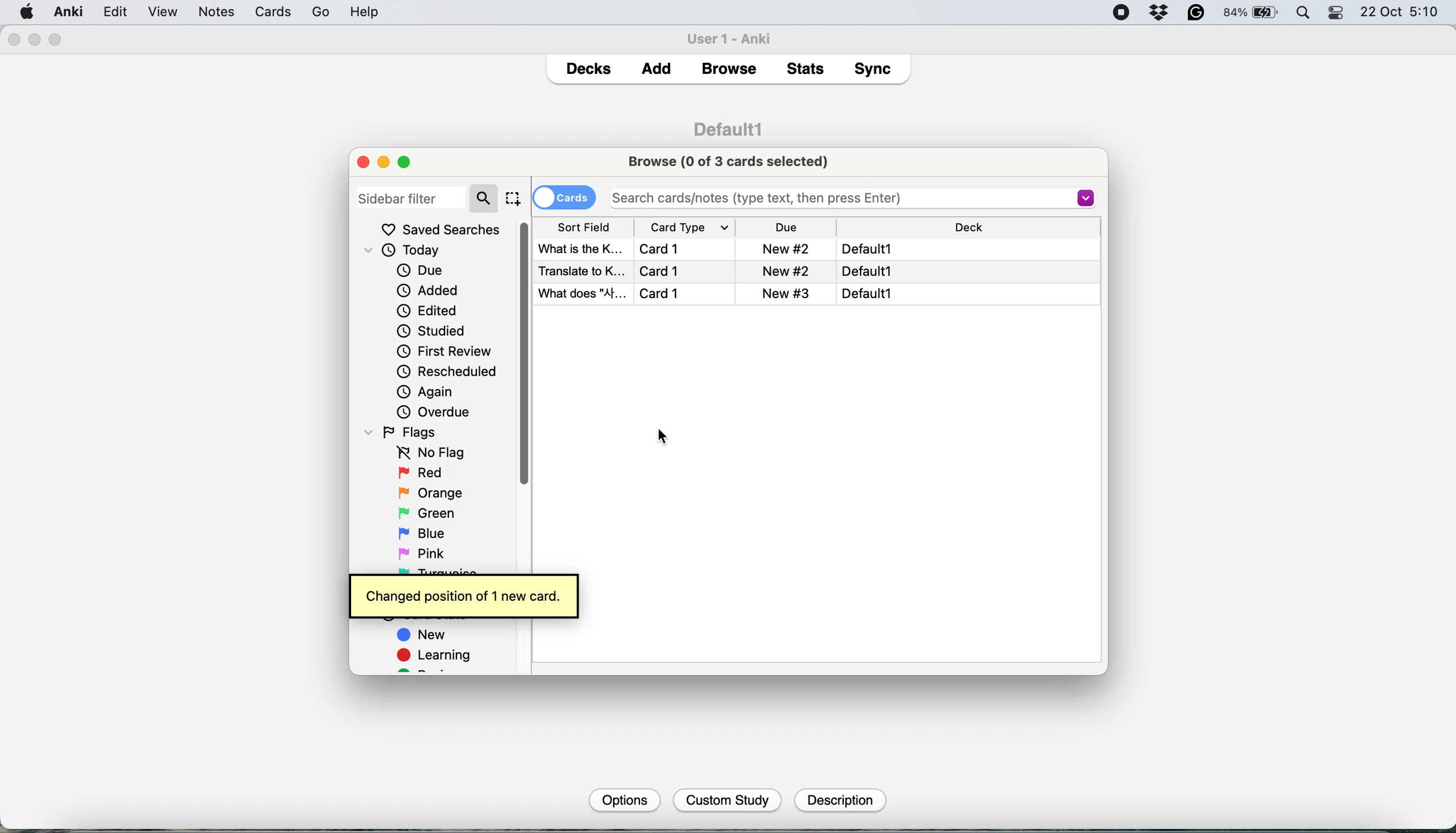  What do you see at coordinates (423, 636) in the screenshot?
I see `new` at bounding box center [423, 636].